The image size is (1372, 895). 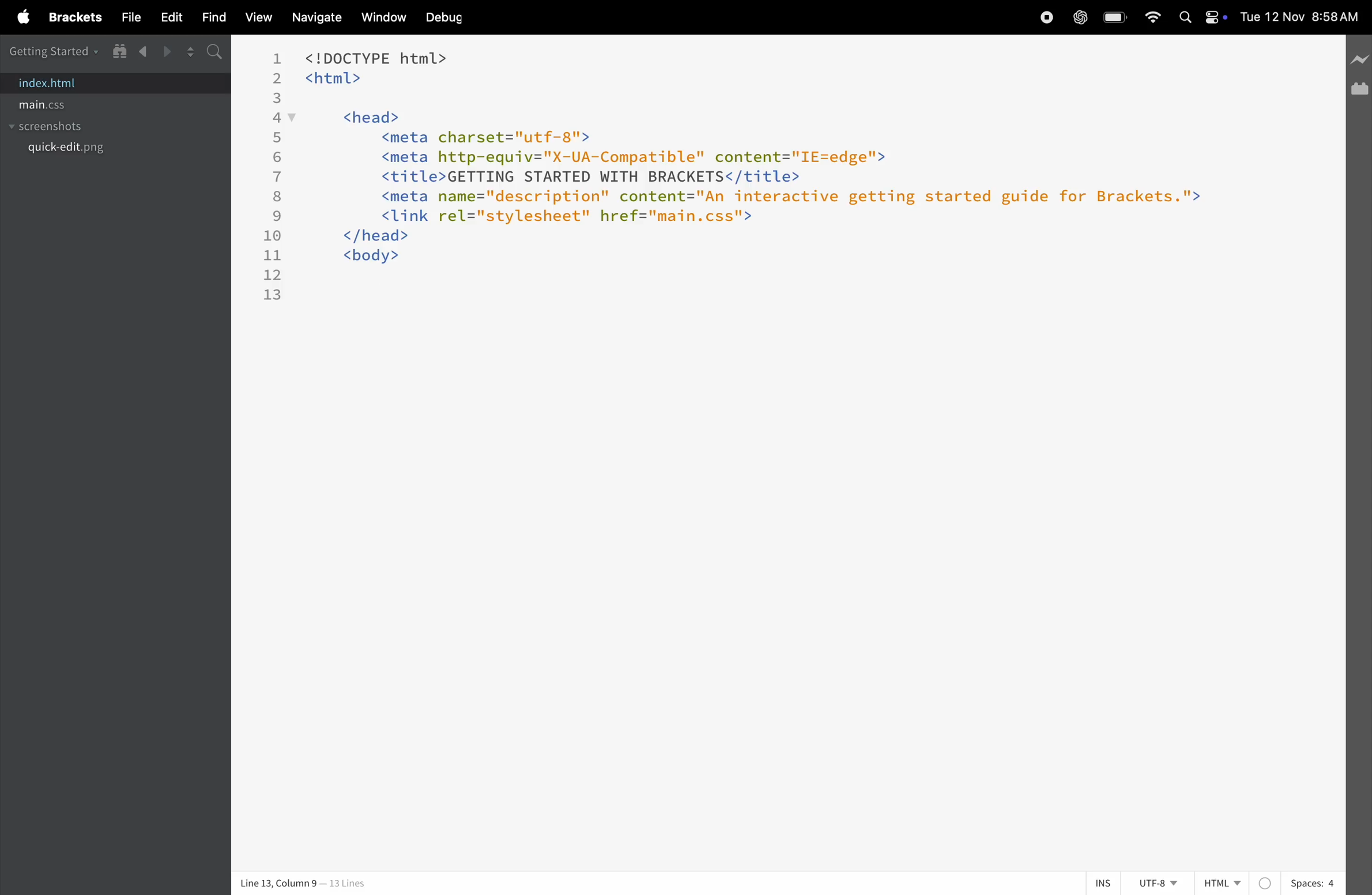 I want to click on view, so click(x=255, y=16).